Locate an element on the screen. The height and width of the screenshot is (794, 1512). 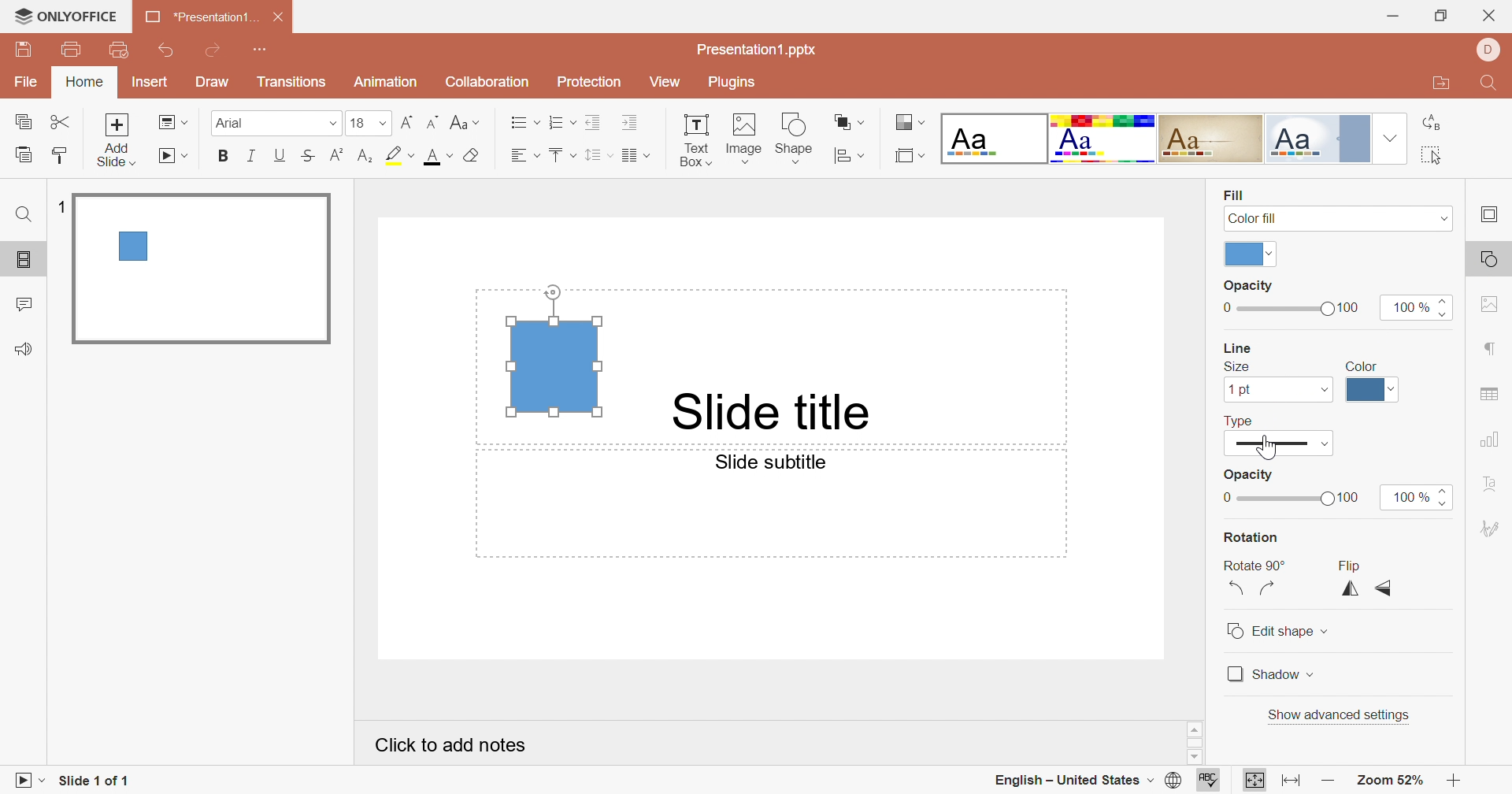
Presentation1.pptx is located at coordinates (764, 51).